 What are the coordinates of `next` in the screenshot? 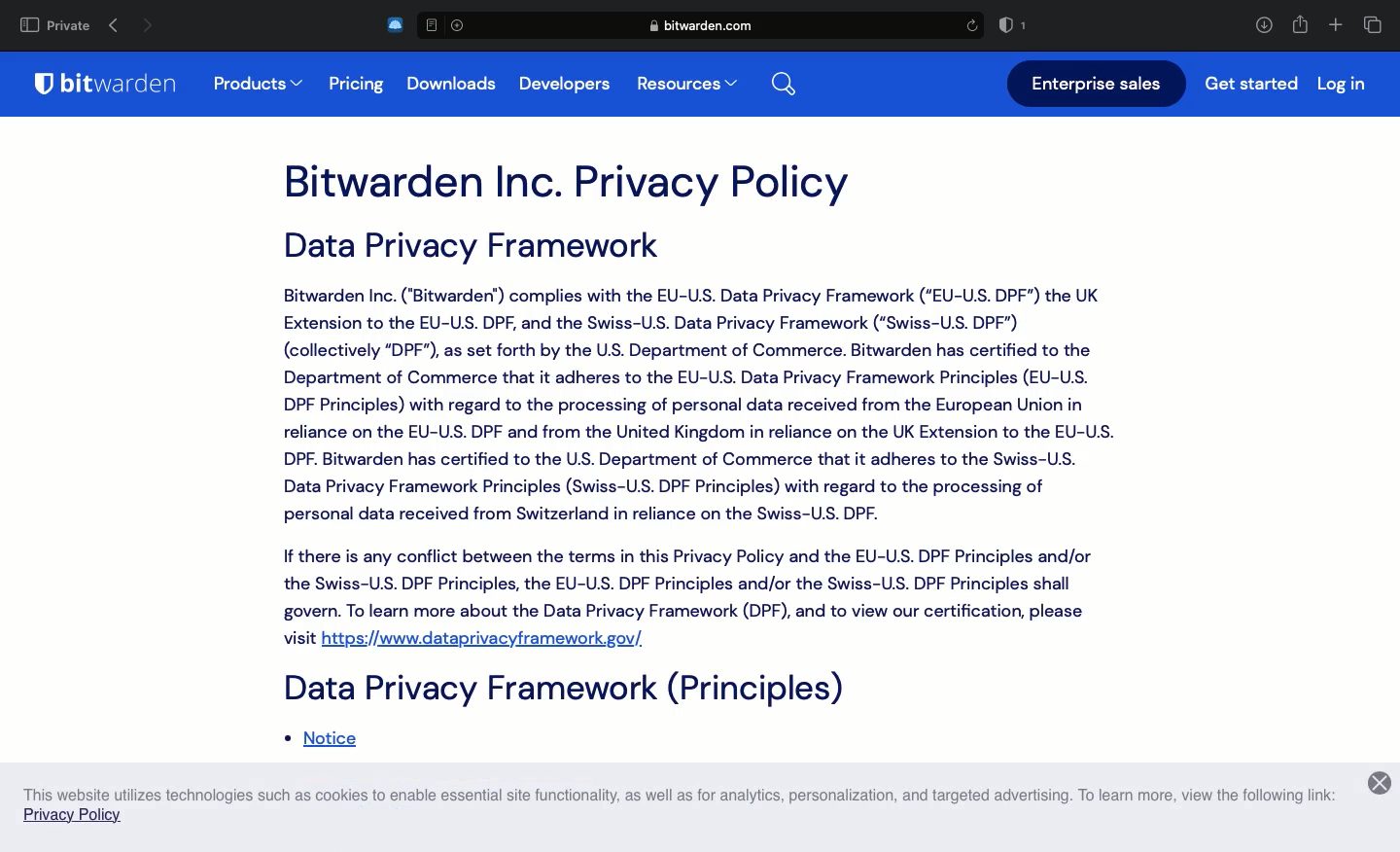 It's located at (148, 22).